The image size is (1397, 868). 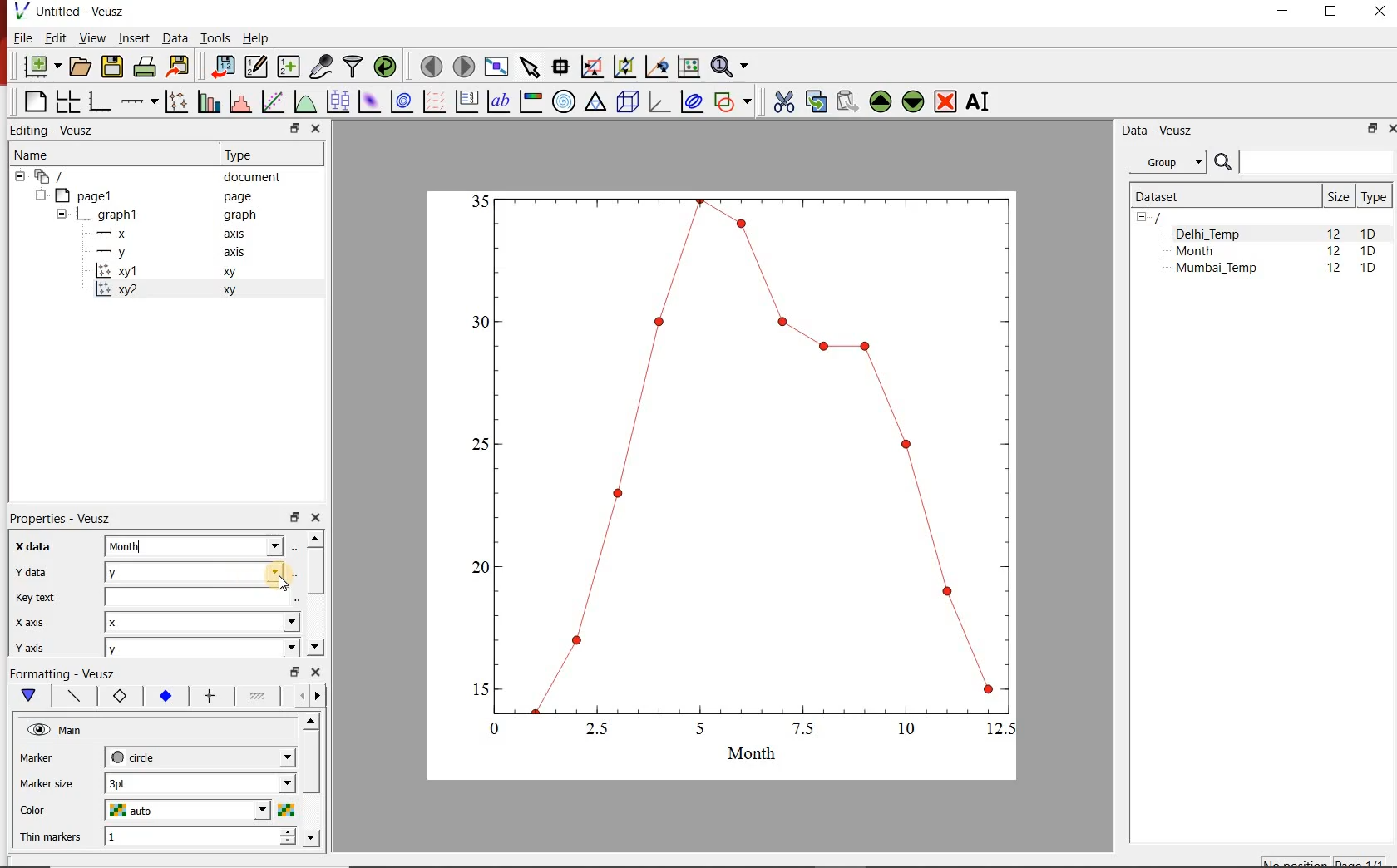 I want to click on Data, so click(x=174, y=37).